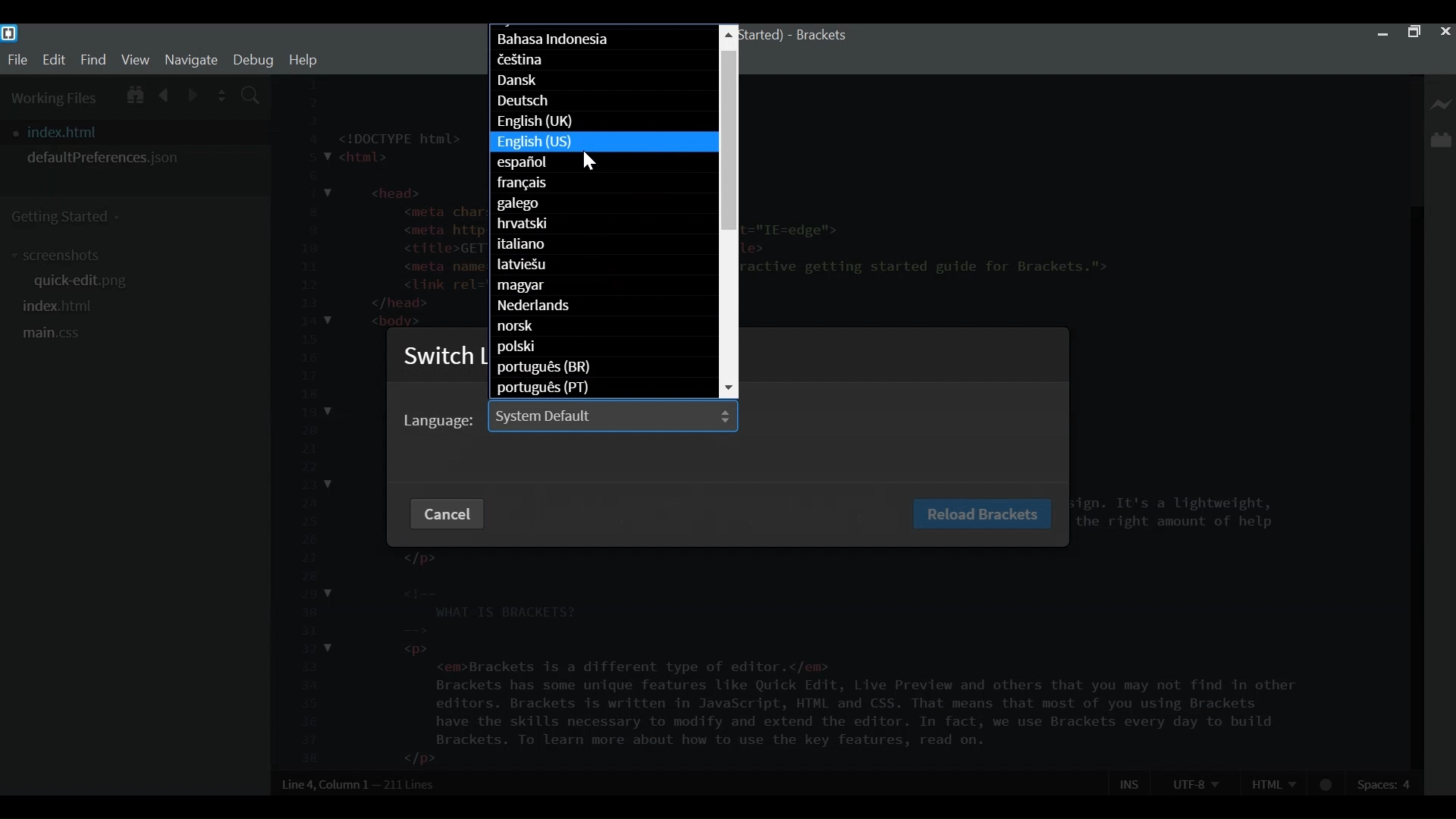 This screenshot has height=819, width=1456. Describe the element at coordinates (603, 140) in the screenshot. I see `English (US)` at that location.